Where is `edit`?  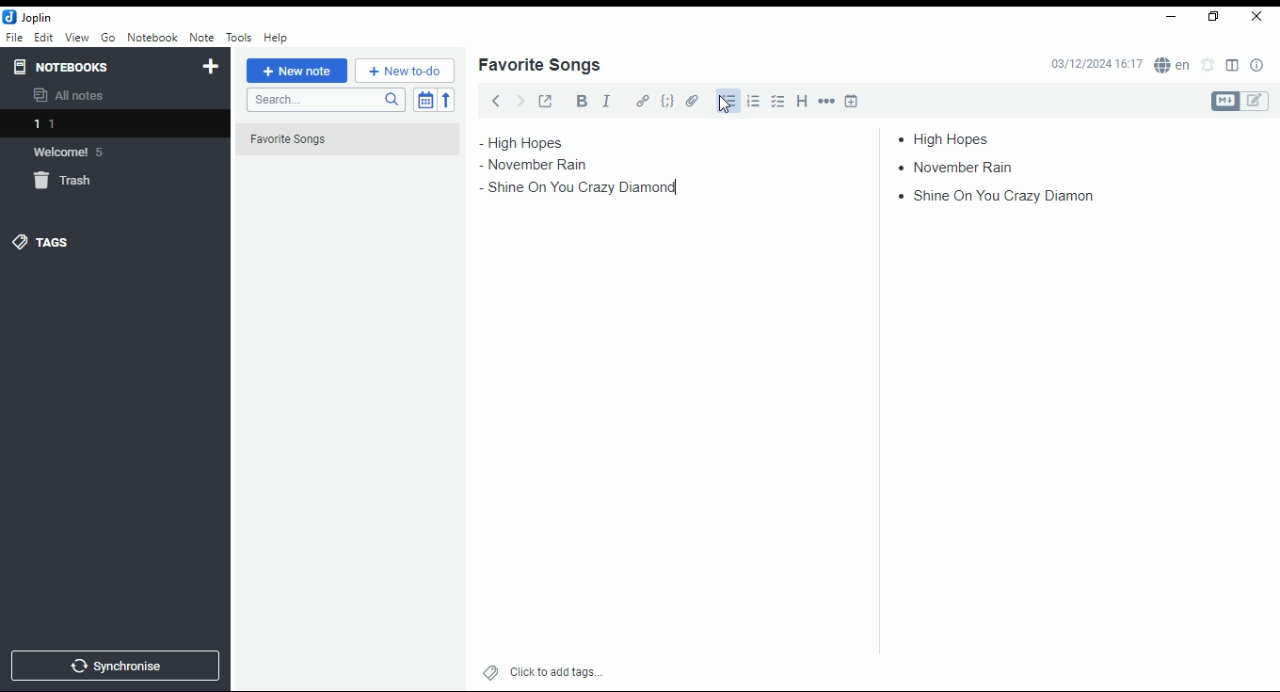 edit is located at coordinates (43, 36).